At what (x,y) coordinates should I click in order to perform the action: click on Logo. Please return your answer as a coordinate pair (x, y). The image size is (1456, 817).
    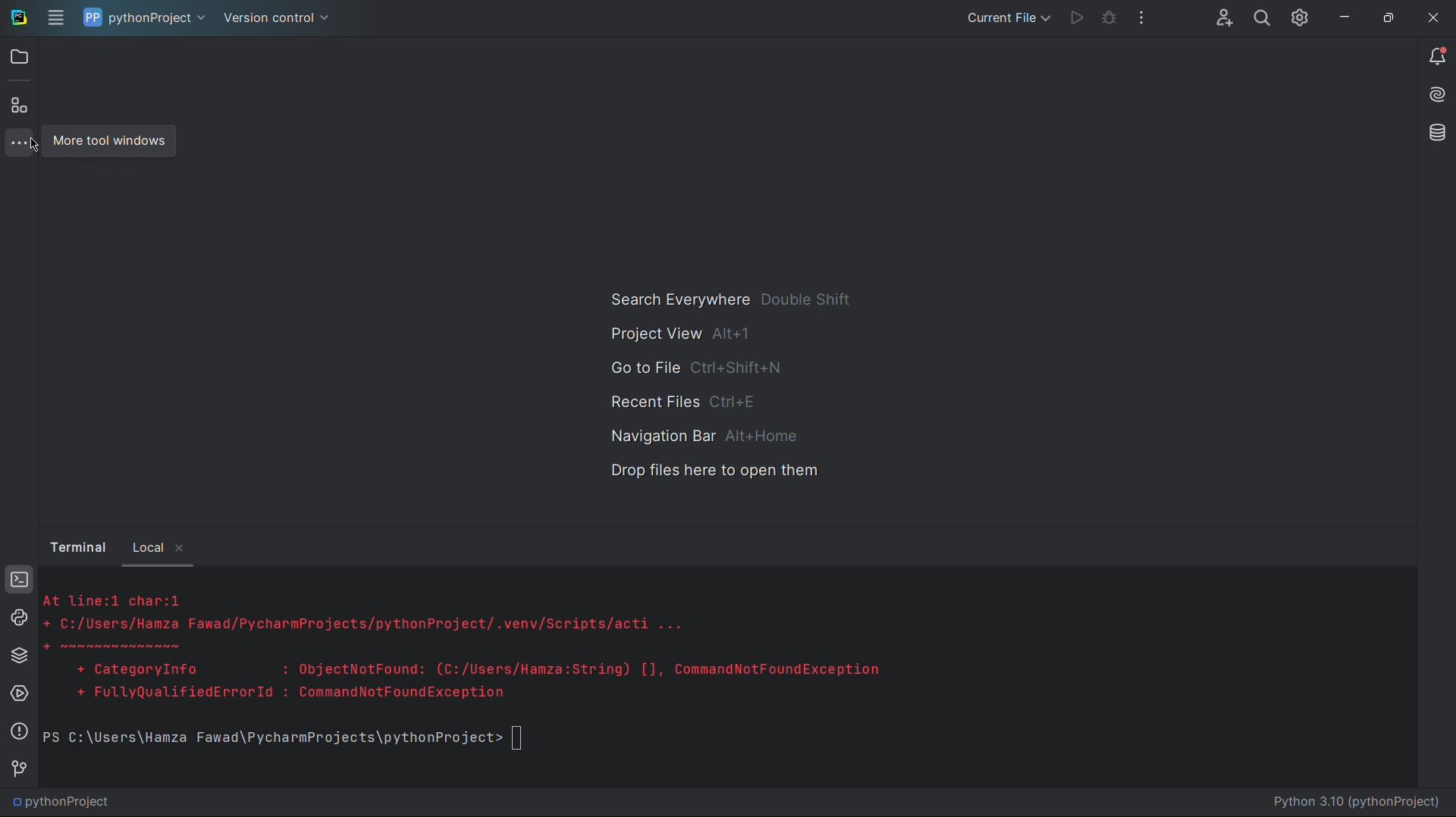
    Looking at the image, I should click on (18, 20).